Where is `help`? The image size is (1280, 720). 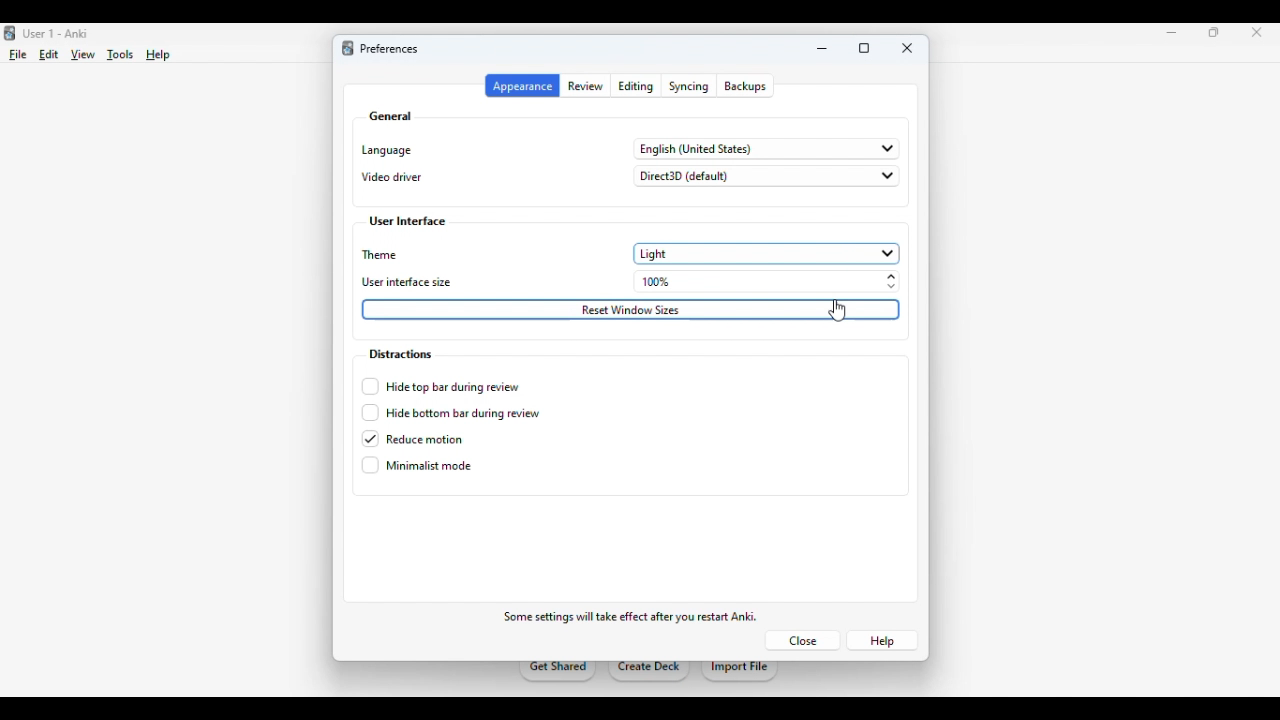 help is located at coordinates (882, 641).